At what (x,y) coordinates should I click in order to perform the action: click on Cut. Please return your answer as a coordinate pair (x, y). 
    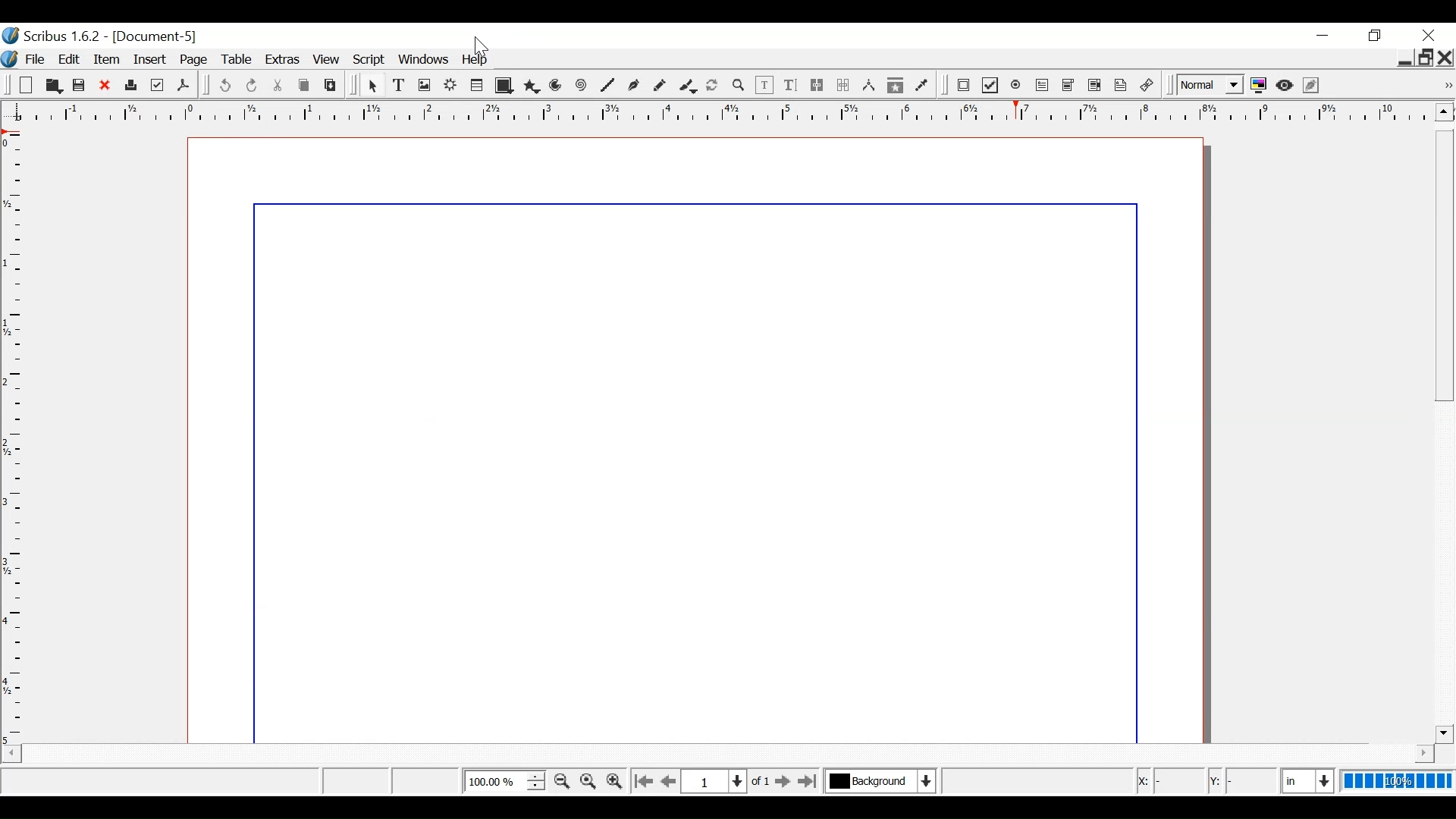
    Looking at the image, I should click on (278, 86).